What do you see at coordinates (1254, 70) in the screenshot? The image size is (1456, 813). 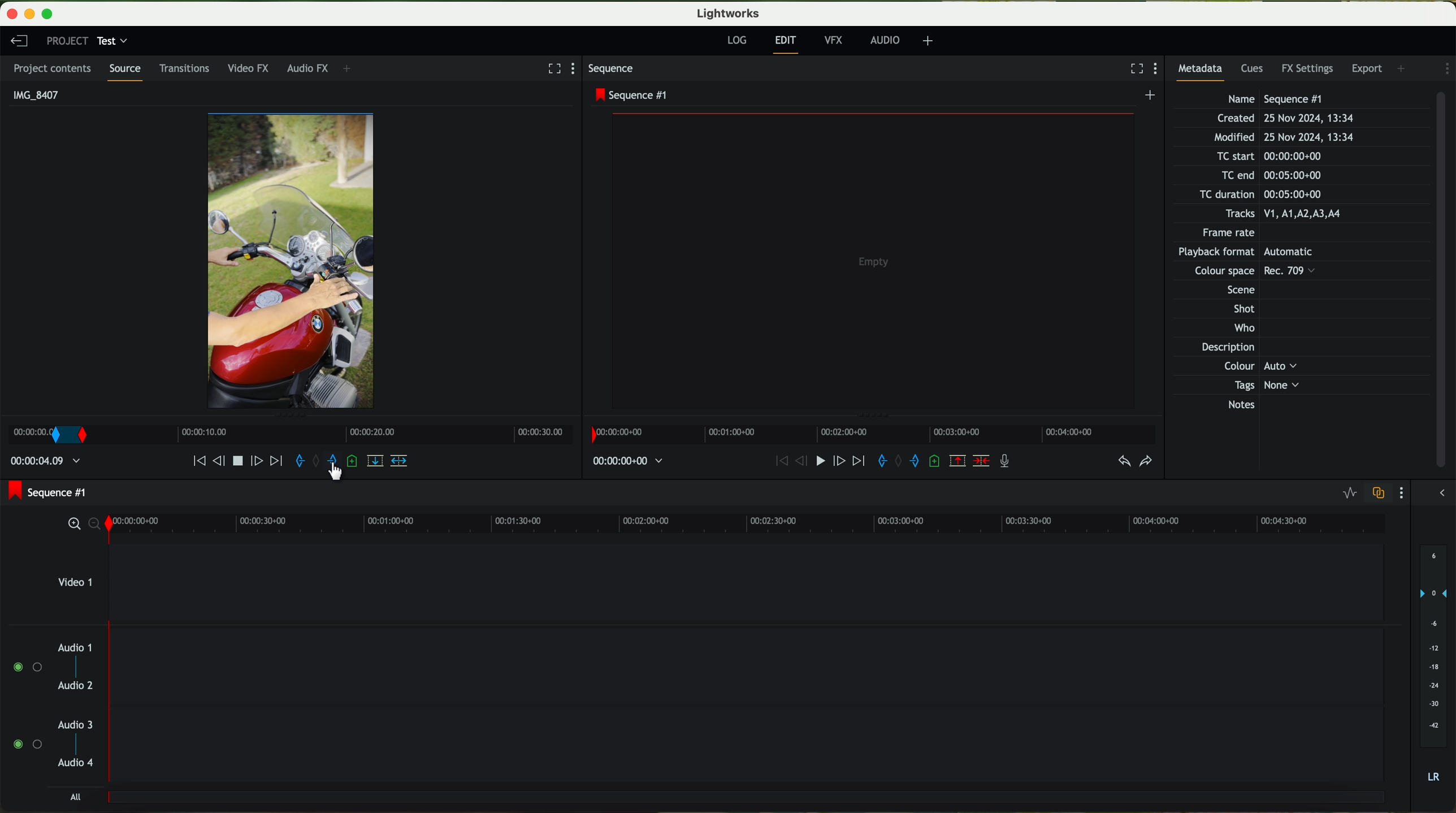 I see `cues` at bounding box center [1254, 70].